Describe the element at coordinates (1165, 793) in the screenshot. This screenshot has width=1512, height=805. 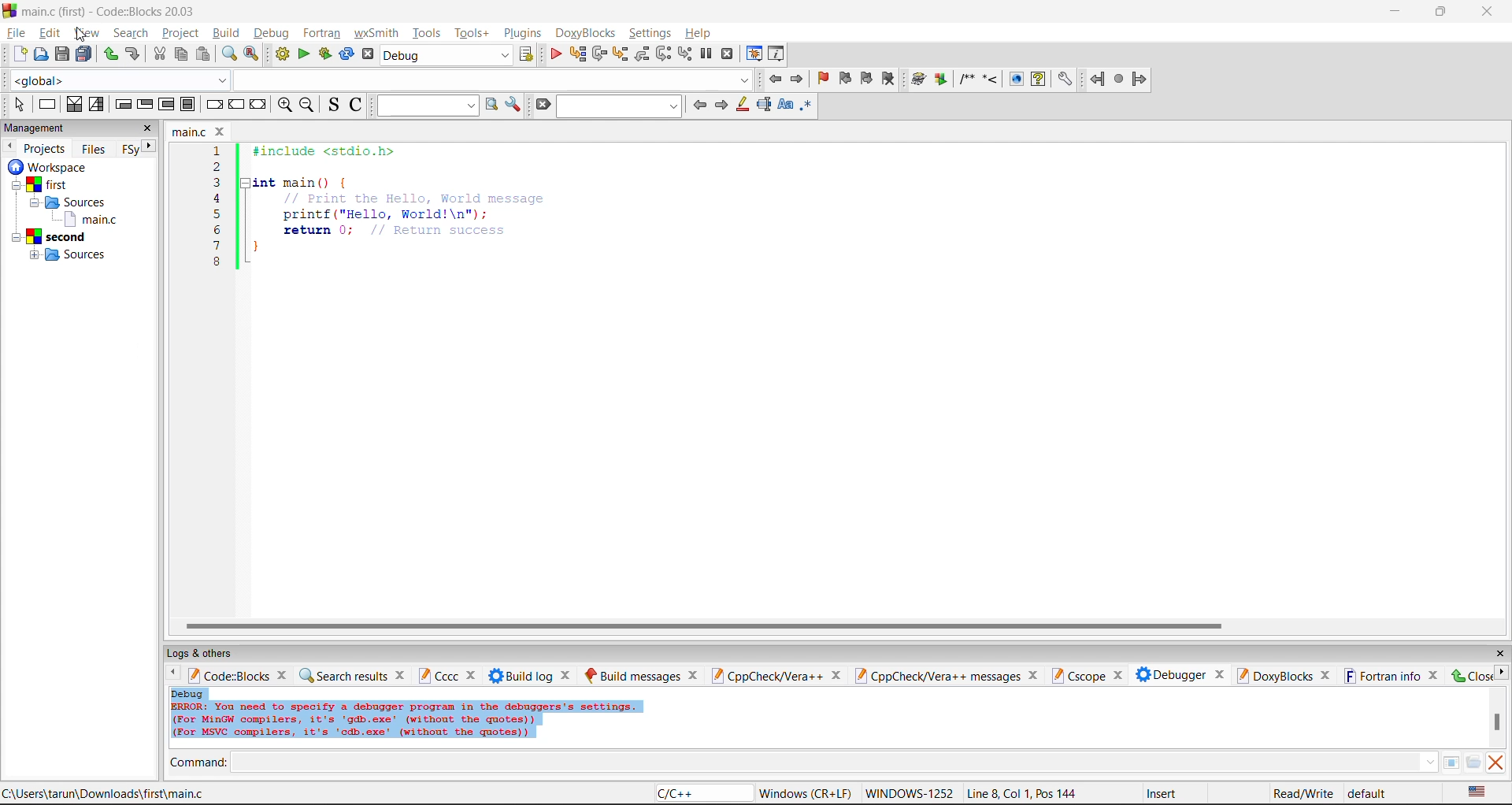
I see `insert` at that location.